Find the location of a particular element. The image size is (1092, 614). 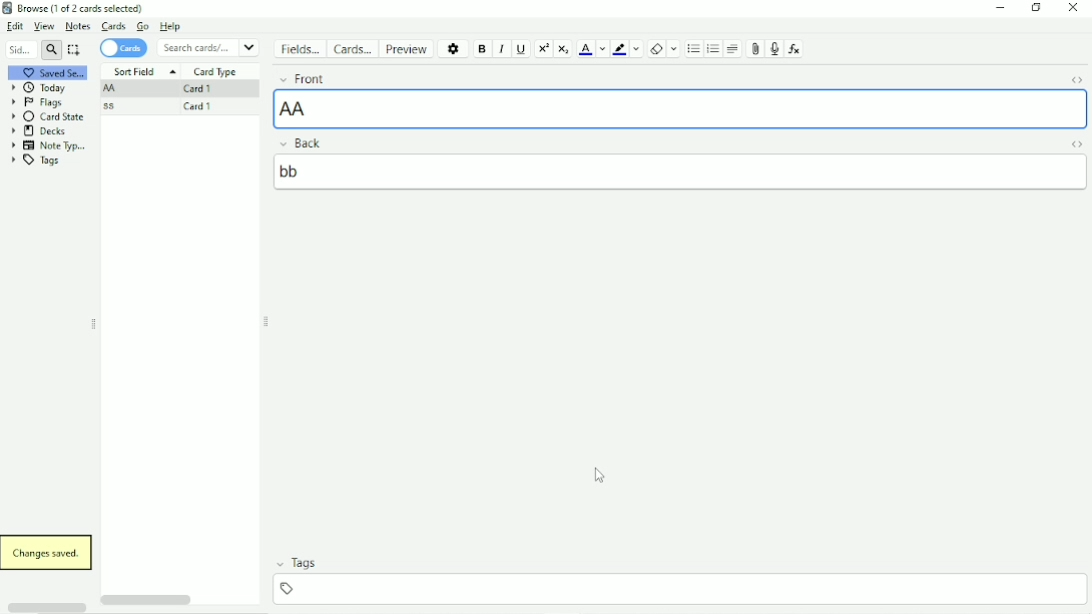

Tags is located at coordinates (305, 563).